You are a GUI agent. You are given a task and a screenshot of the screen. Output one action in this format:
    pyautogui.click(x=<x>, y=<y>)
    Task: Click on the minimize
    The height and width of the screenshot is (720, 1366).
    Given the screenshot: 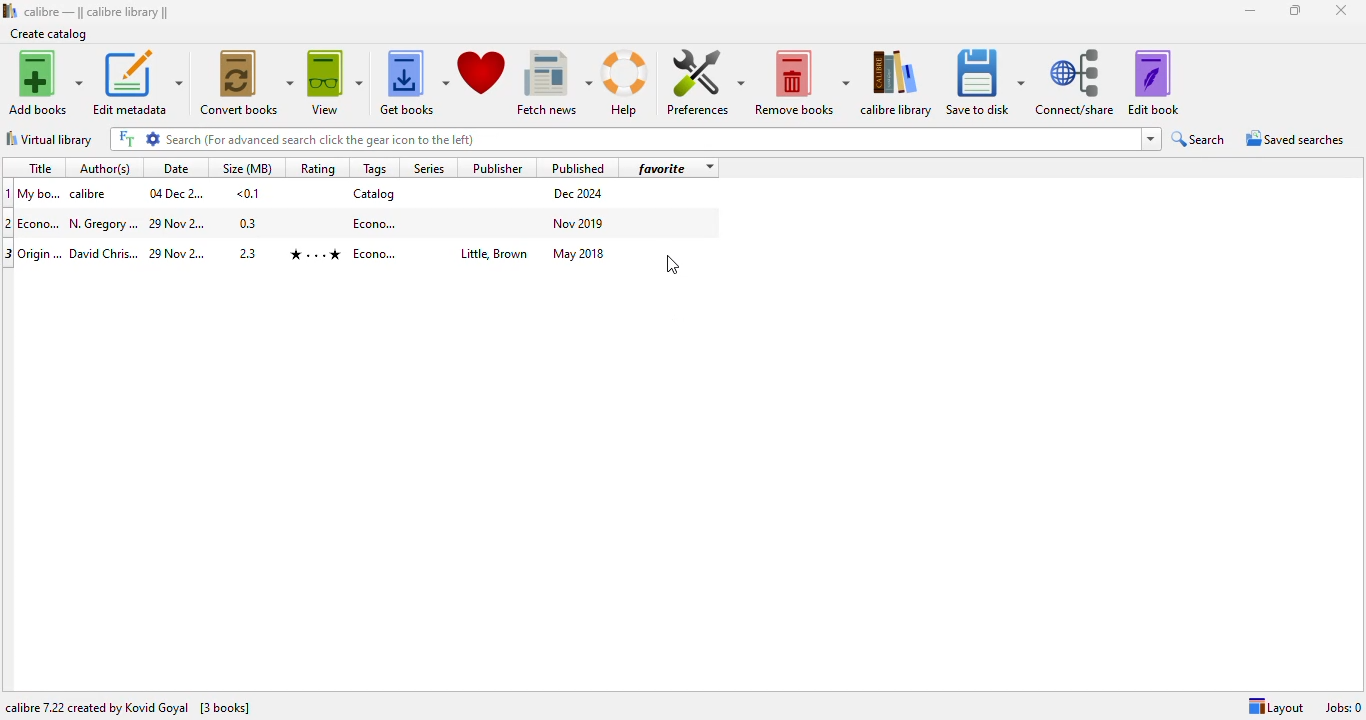 What is the action you would take?
    pyautogui.click(x=1251, y=11)
    